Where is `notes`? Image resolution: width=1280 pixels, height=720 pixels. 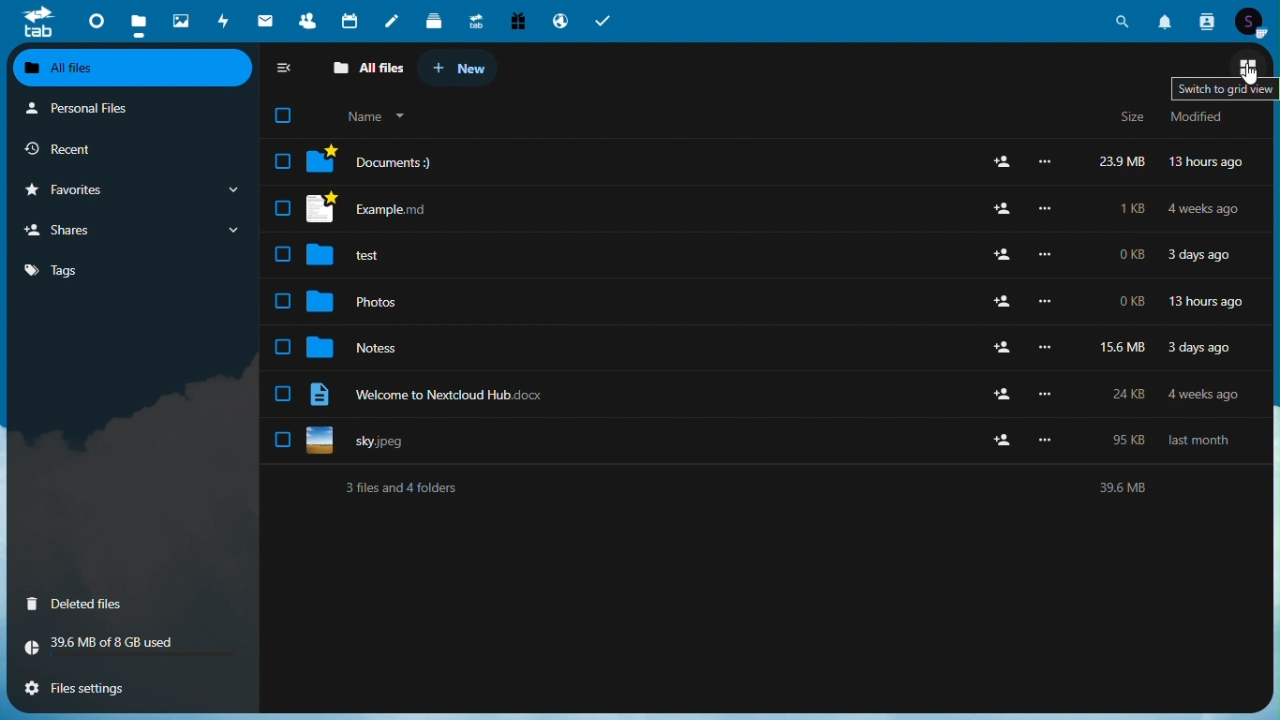
notes is located at coordinates (375, 345).